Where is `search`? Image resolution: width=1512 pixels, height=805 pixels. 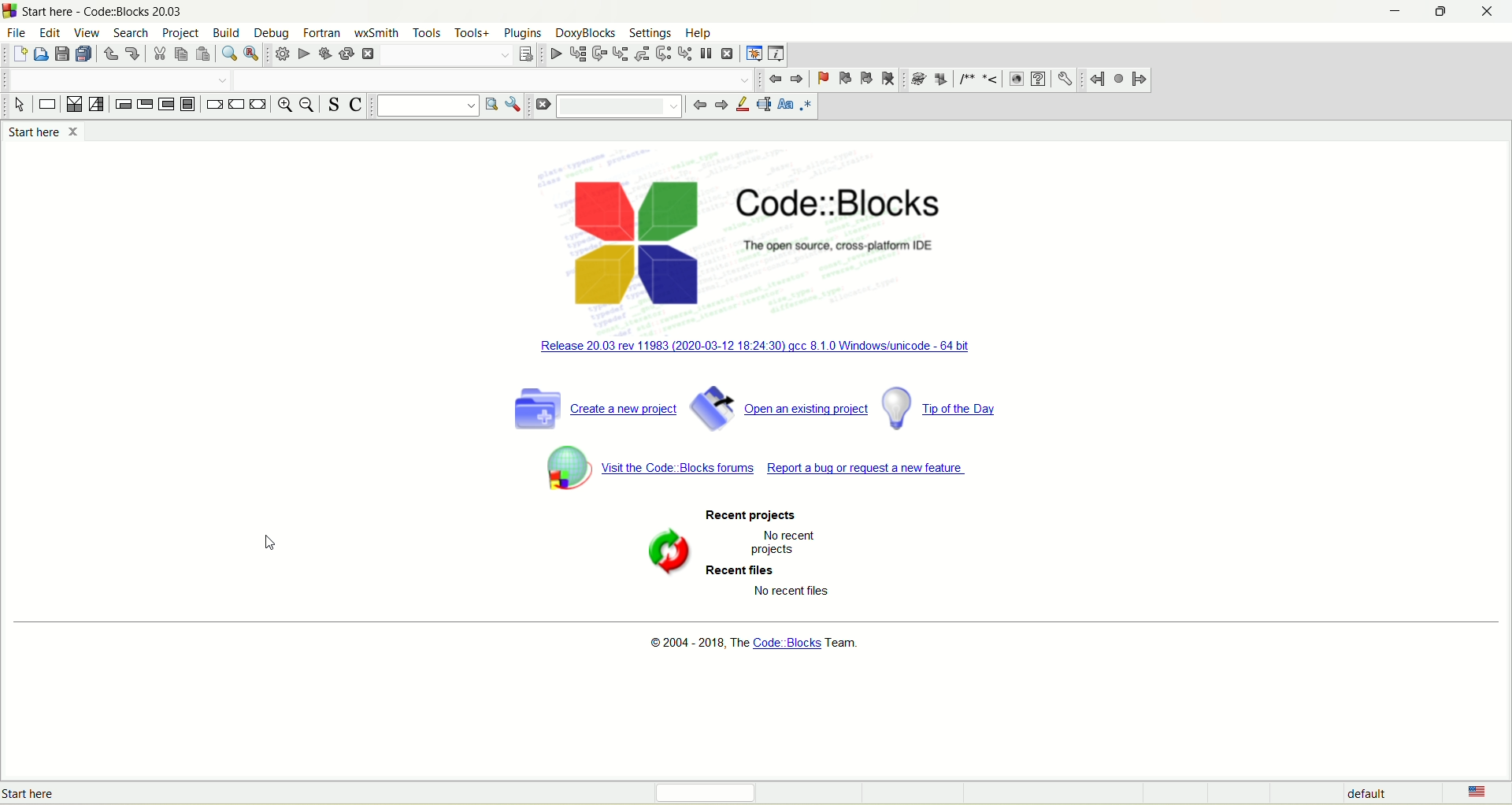 search is located at coordinates (133, 33).